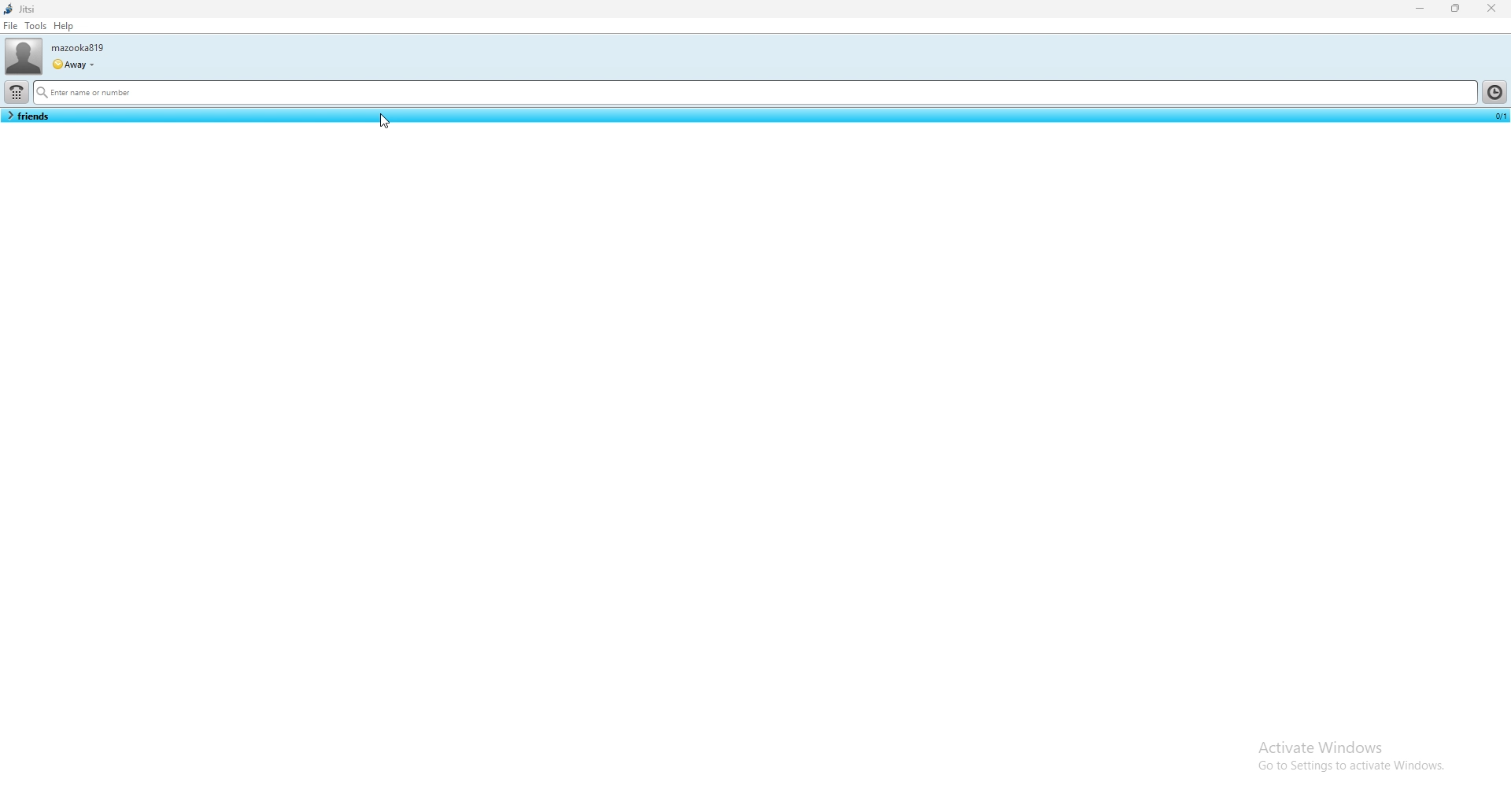 This screenshot has width=1511, height=812. What do you see at coordinates (21, 9) in the screenshot?
I see `jitsi` at bounding box center [21, 9].